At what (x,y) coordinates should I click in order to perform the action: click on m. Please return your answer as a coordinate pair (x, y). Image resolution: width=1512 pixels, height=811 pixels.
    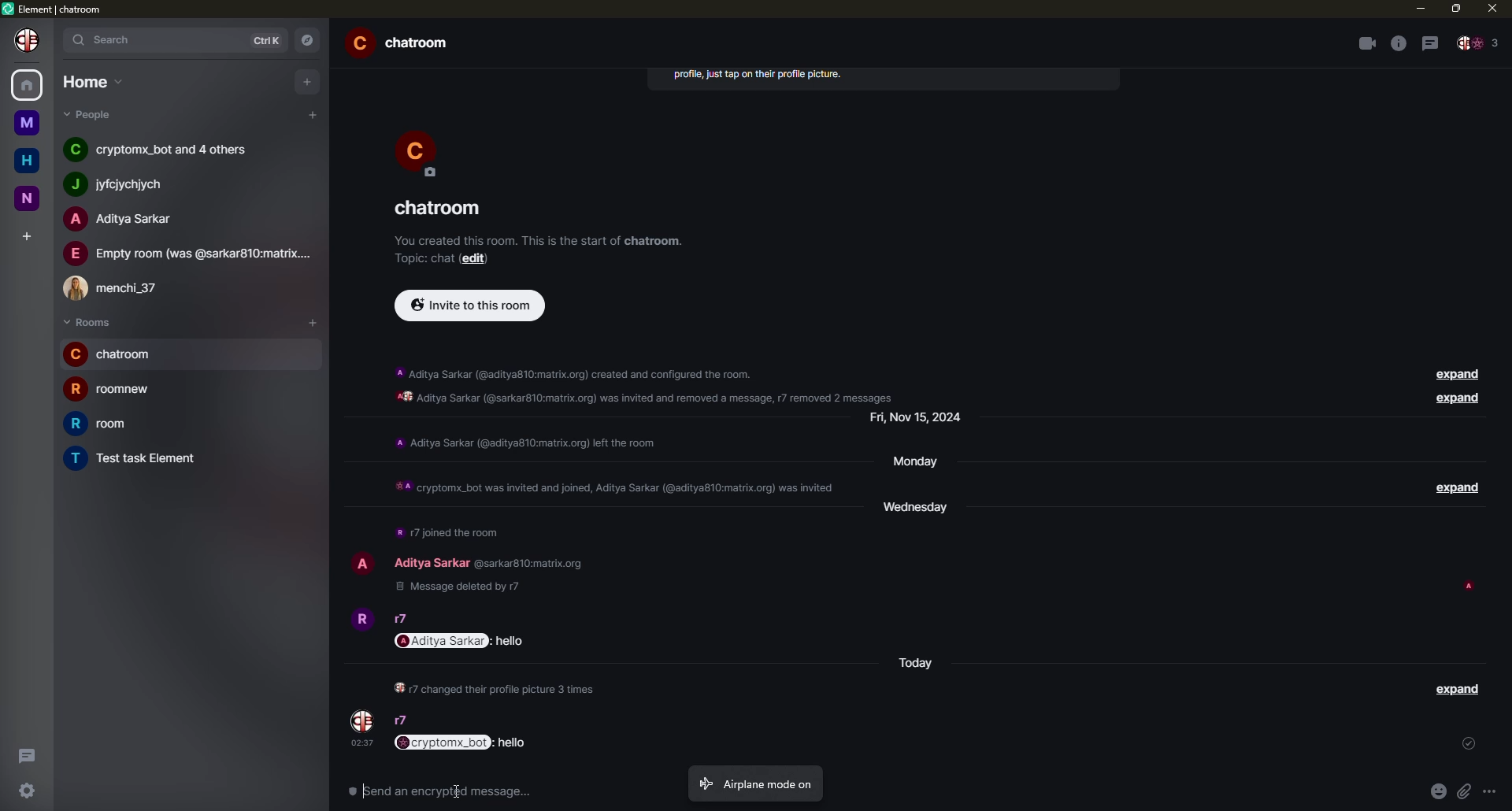
    Looking at the image, I should click on (28, 122).